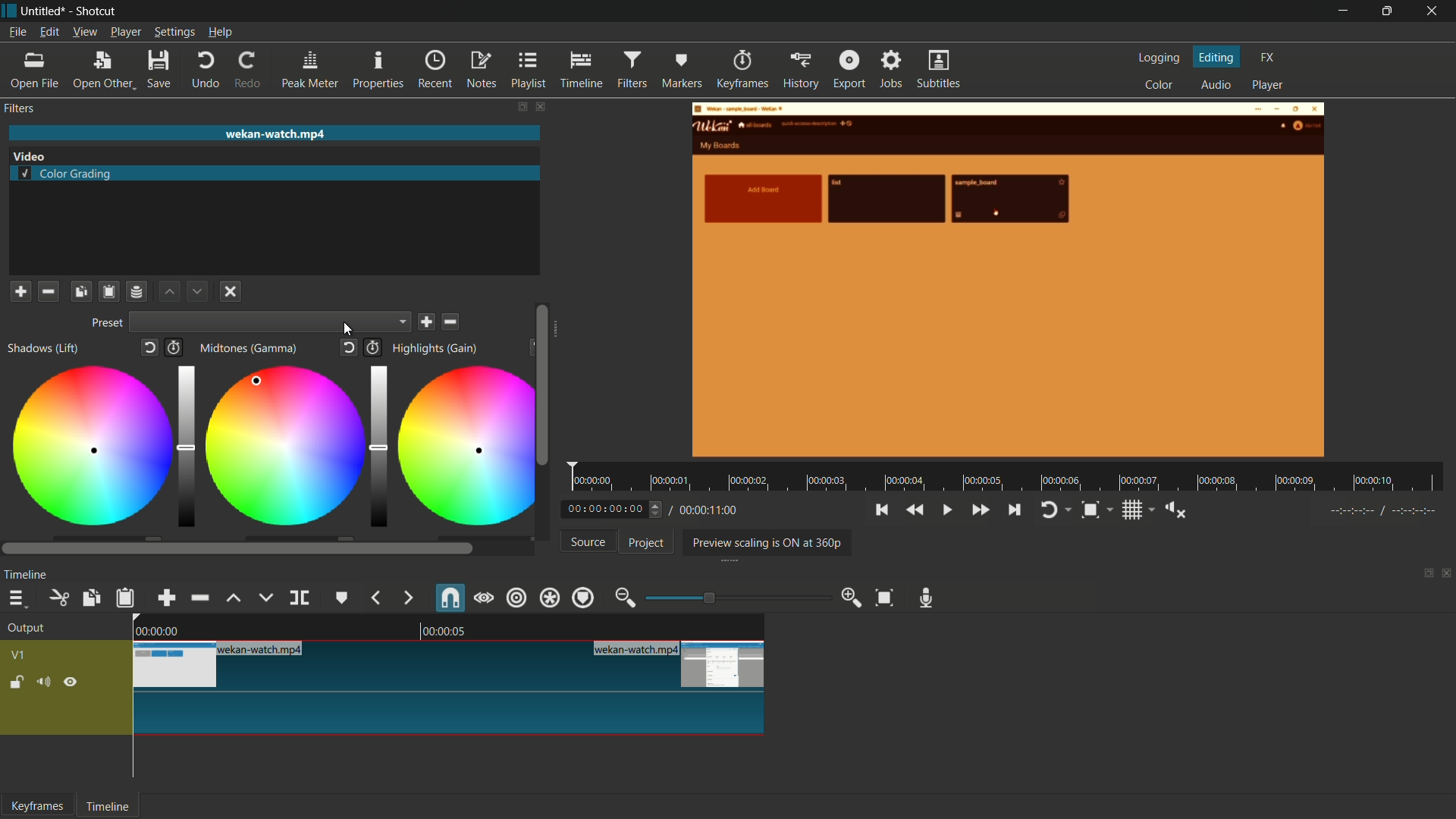 Image resolution: width=1456 pixels, height=819 pixels. What do you see at coordinates (248, 348) in the screenshot?
I see `midtones(gamma)` at bounding box center [248, 348].